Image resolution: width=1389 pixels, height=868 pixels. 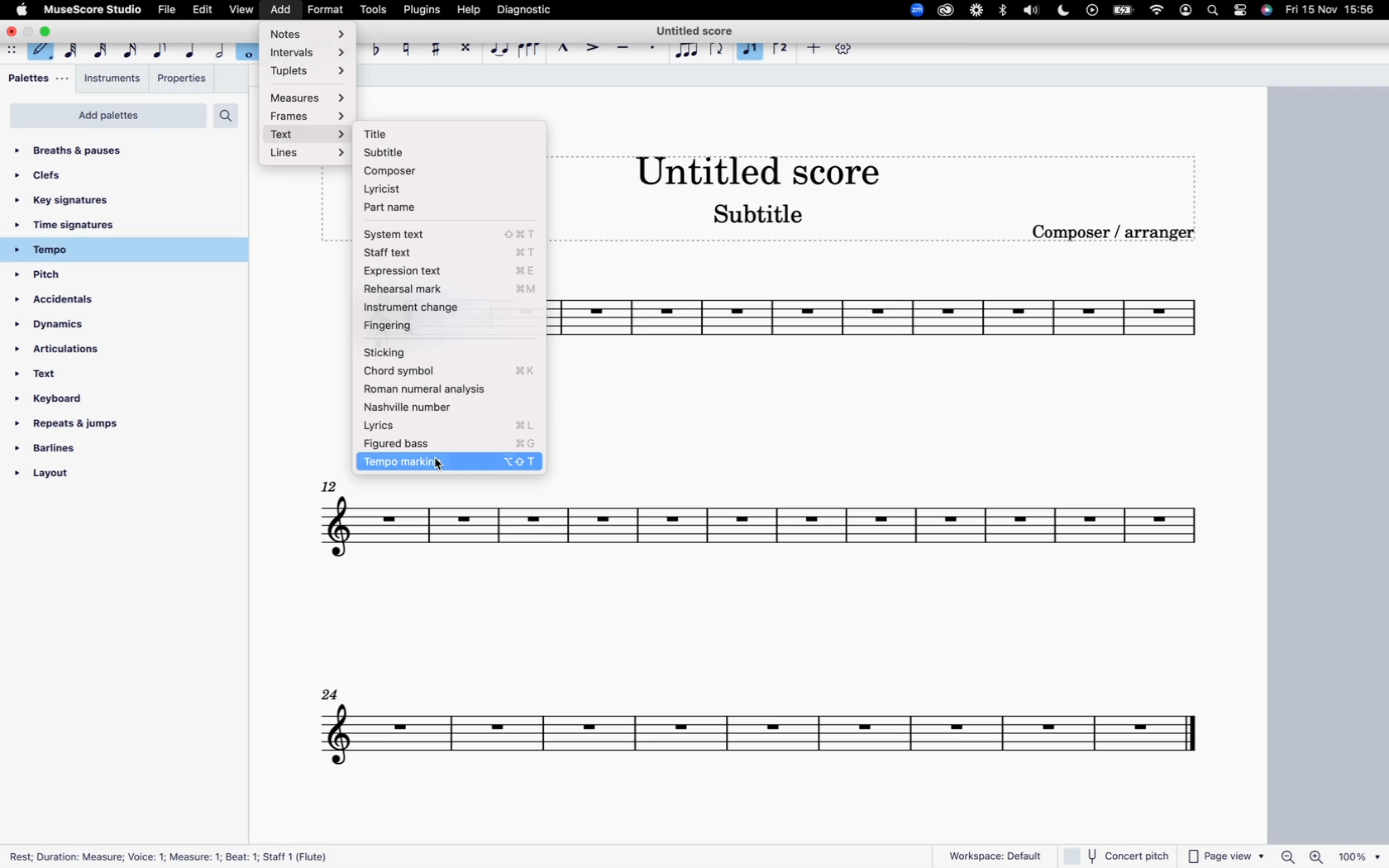 I want to click on intervals, so click(x=304, y=53).